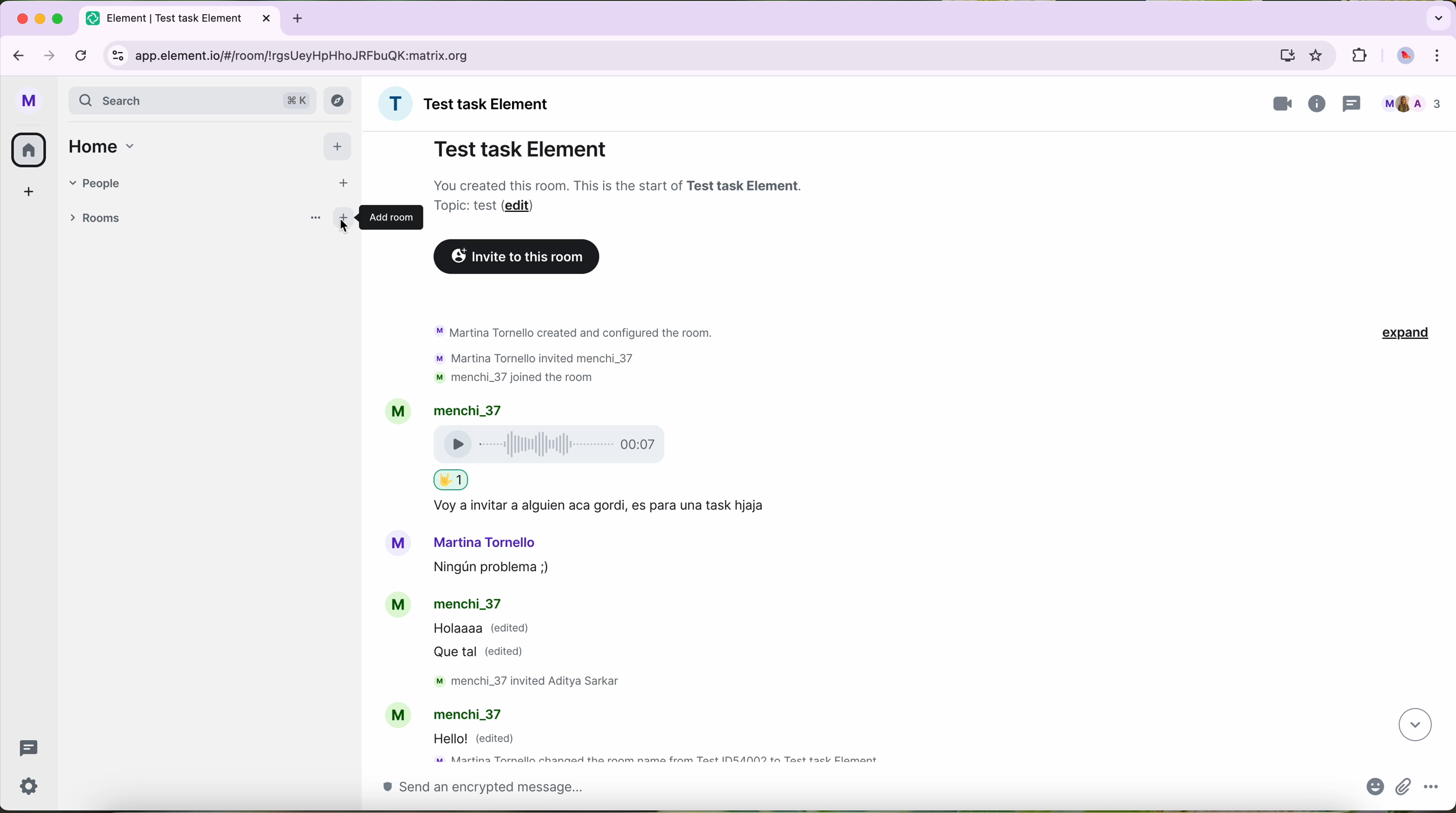 This screenshot has height=813, width=1456. Describe the element at coordinates (313, 221) in the screenshot. I see `more options` at that location.